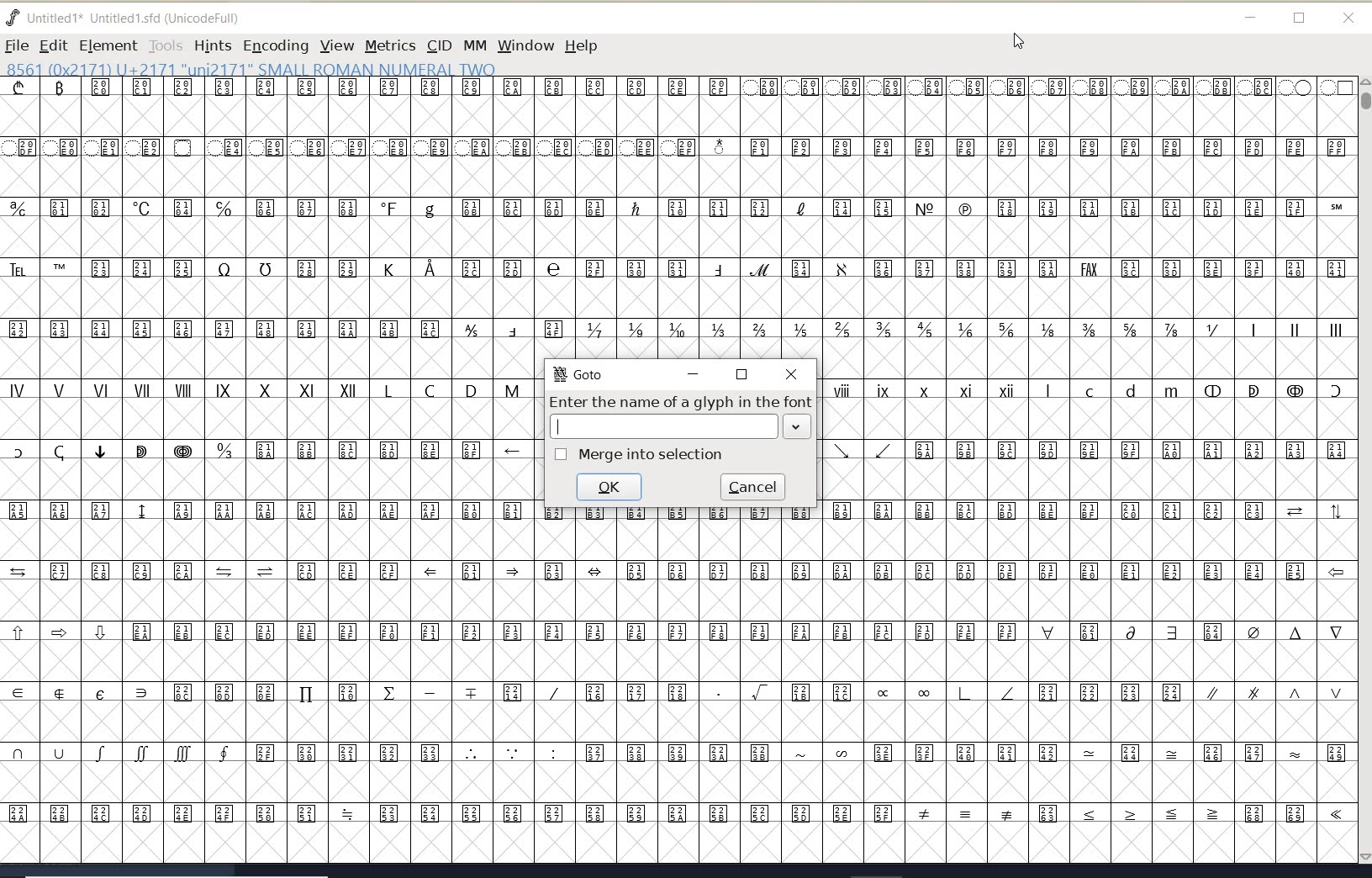 This screenshot has height=878, width=1372. What do you see at coordinates (438, 45) in the screenshot?
I see `CID` at bounding box center [438, 45].